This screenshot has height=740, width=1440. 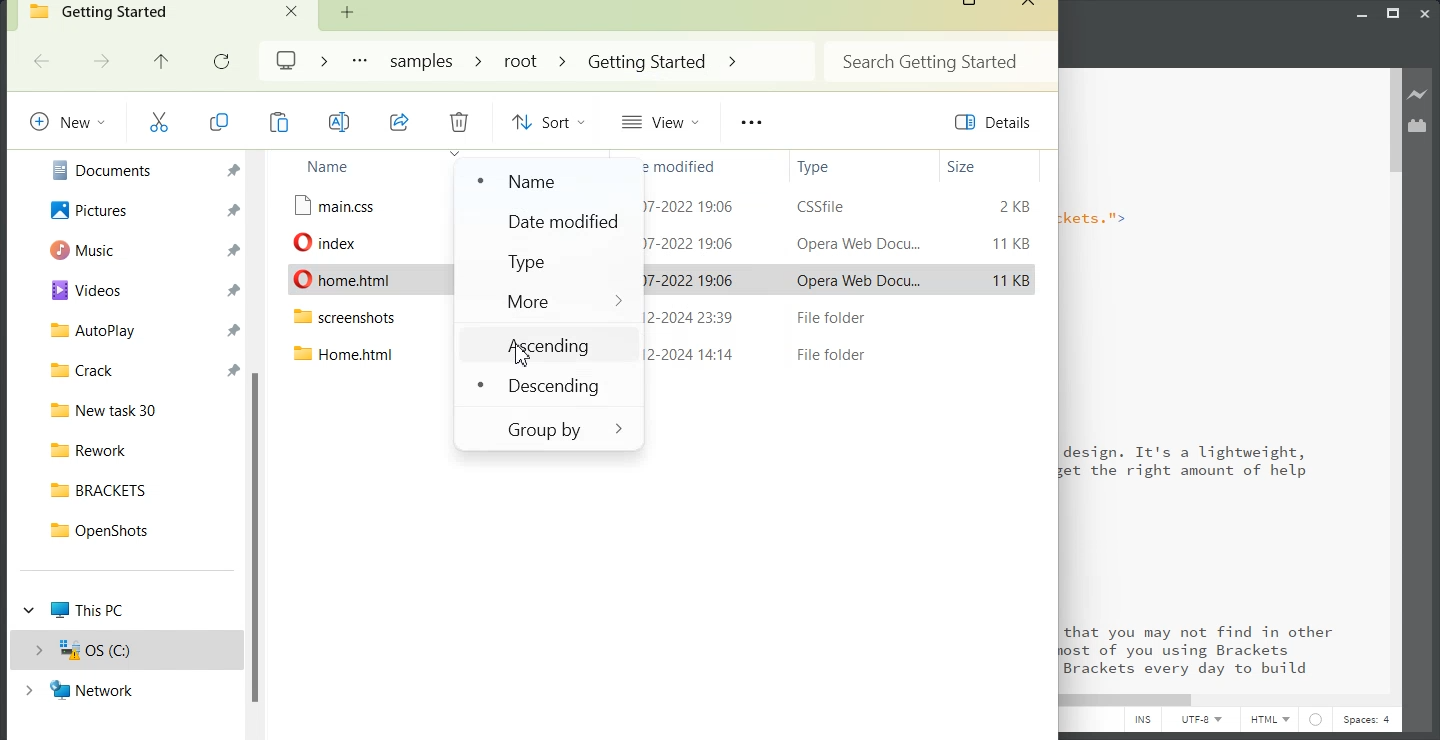 I want to click on File, so click(x=345, y=355).